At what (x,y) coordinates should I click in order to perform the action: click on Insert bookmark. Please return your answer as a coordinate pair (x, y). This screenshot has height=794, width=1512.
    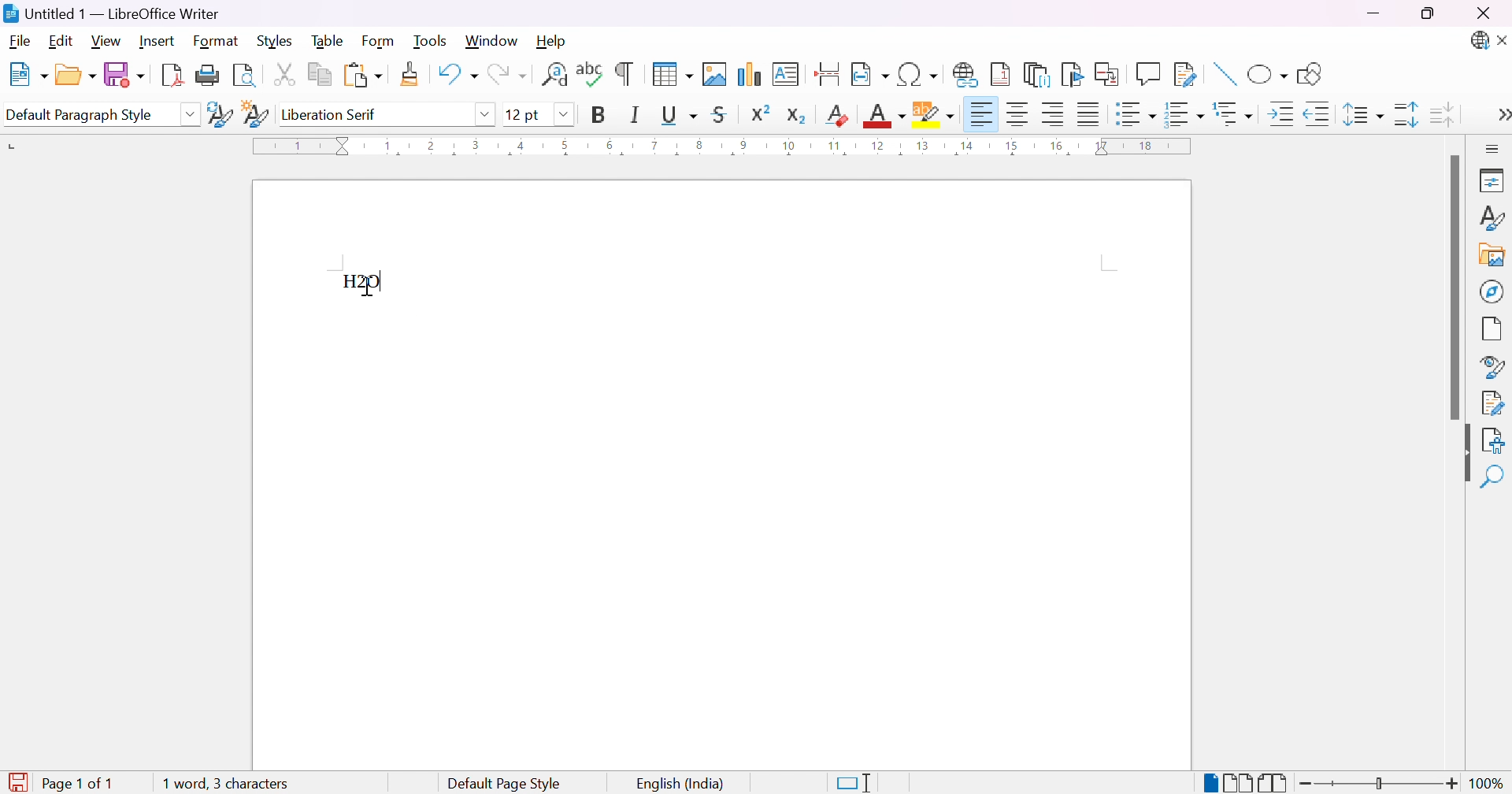
    Looking at the image, I should click on (1073, 74).